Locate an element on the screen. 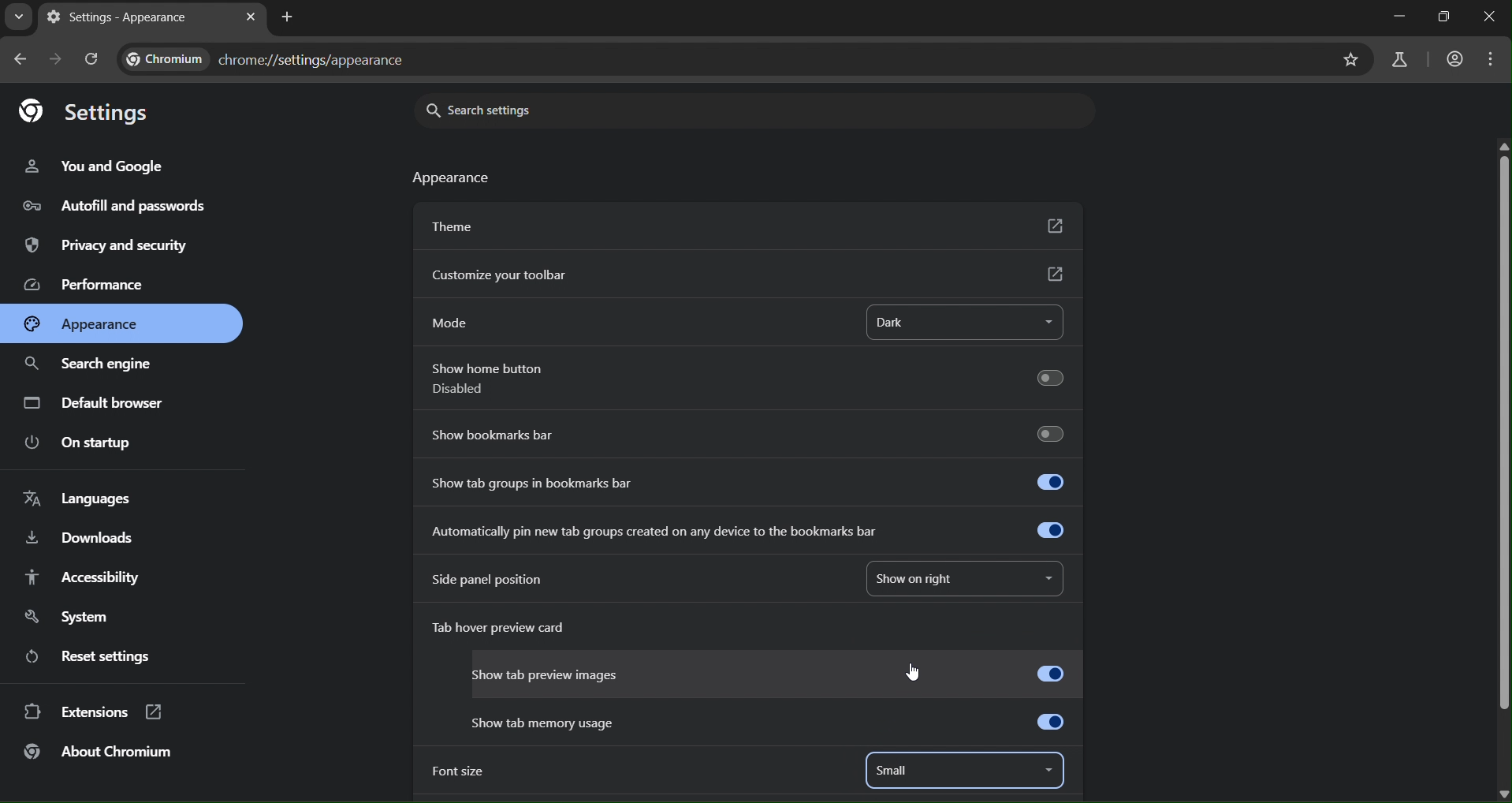 The image size is (1512, 803). close is located at coordinates (1490, 18).